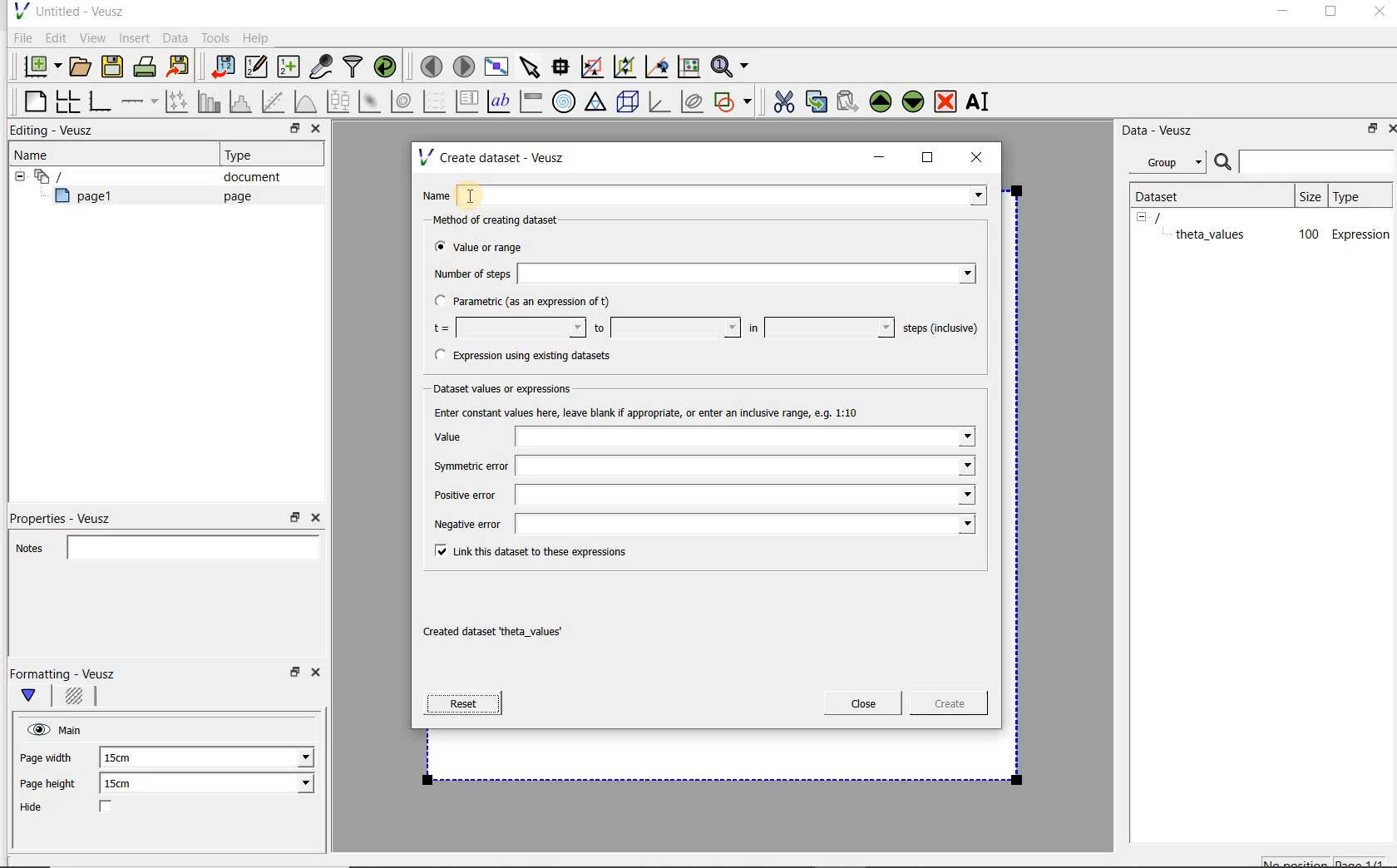 The width and height of the screenshot is (1397, 868). Describe the element at coordinates (1297, 861) in the screenshot. I see `No position` at that location.